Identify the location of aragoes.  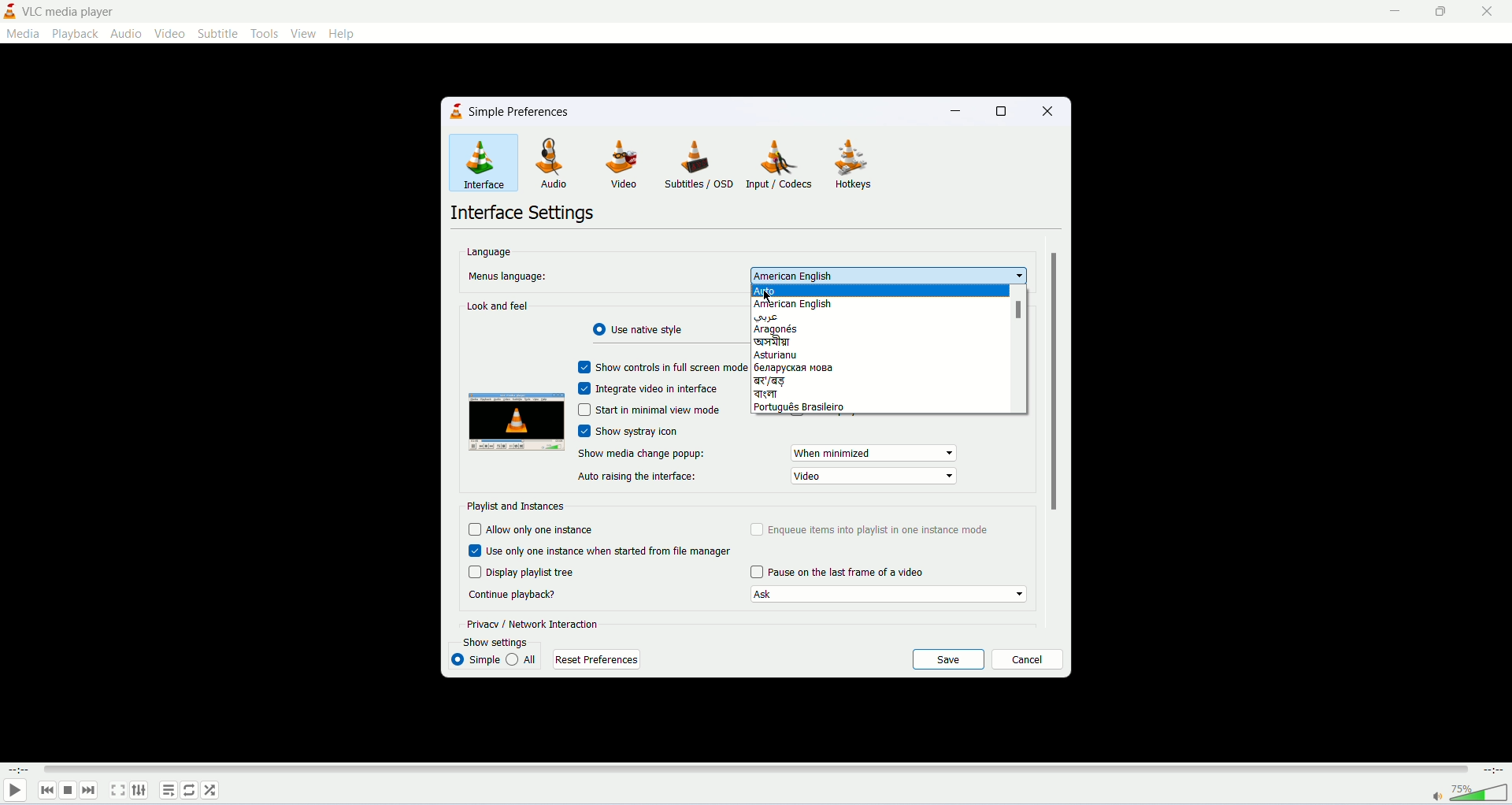
(881, 328).